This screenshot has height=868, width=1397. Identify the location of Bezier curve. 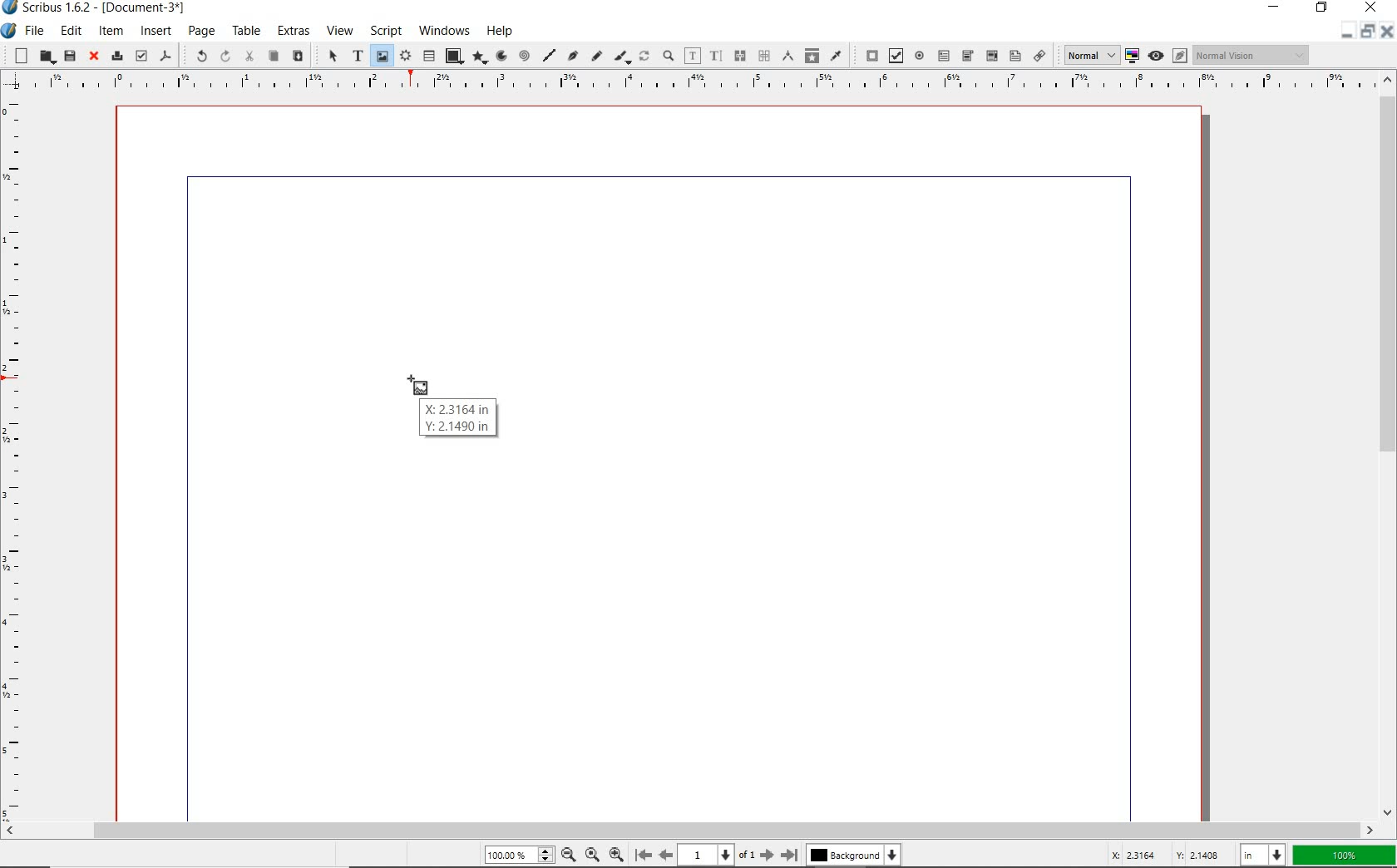
(572, 55).